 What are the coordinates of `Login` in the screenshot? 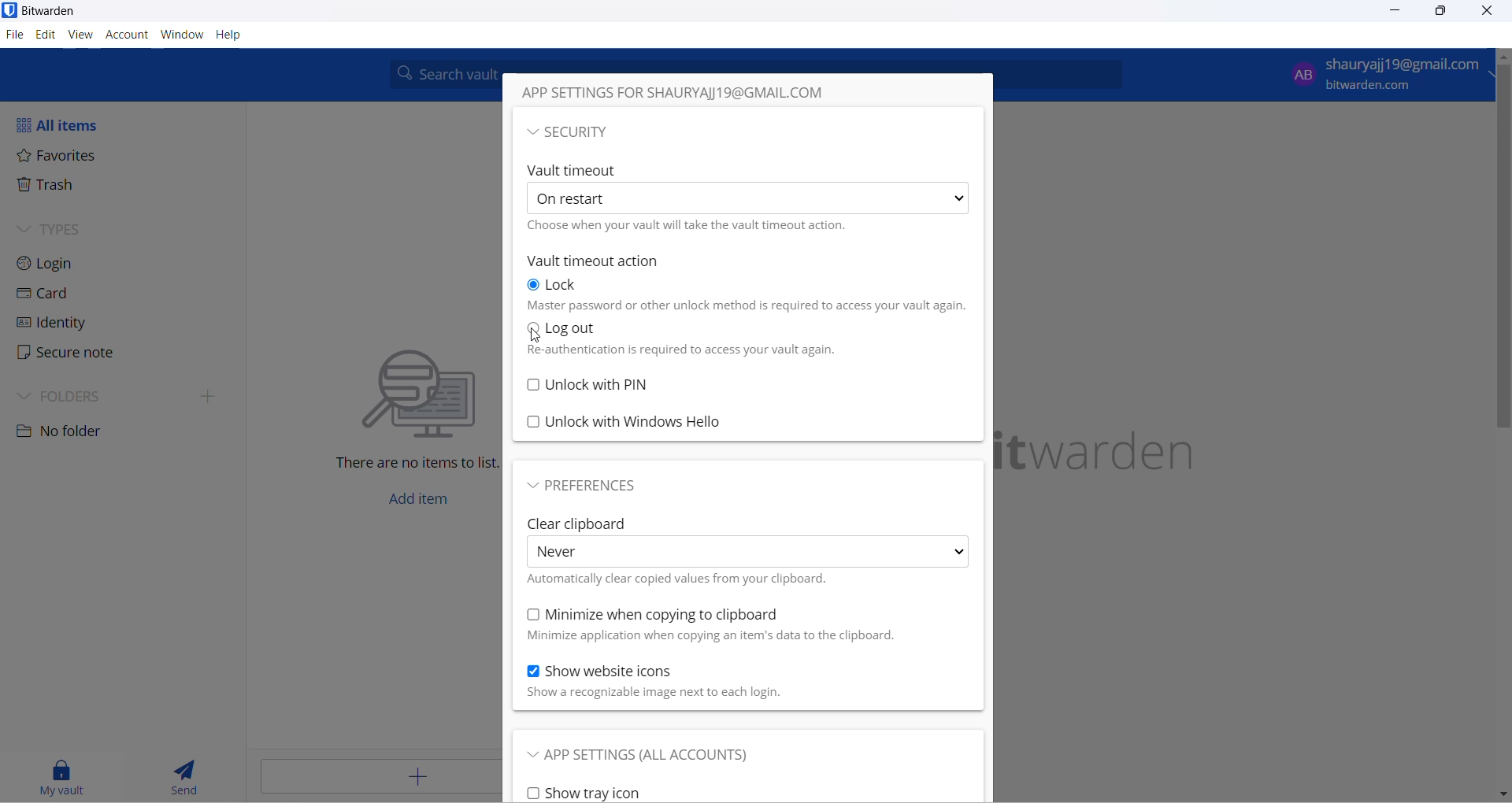 It's located at (63, 264).